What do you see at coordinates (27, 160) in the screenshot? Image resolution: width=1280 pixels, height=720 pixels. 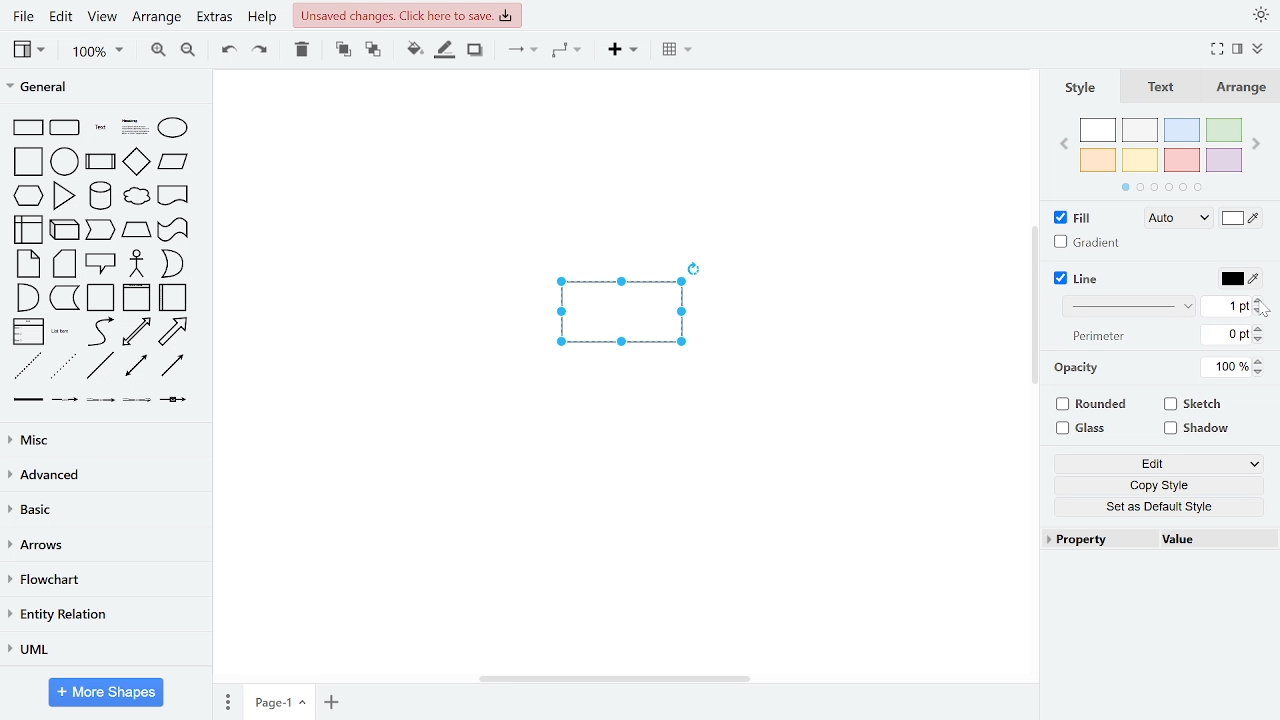 I see `general shapes` at bounding box center [27, 160].